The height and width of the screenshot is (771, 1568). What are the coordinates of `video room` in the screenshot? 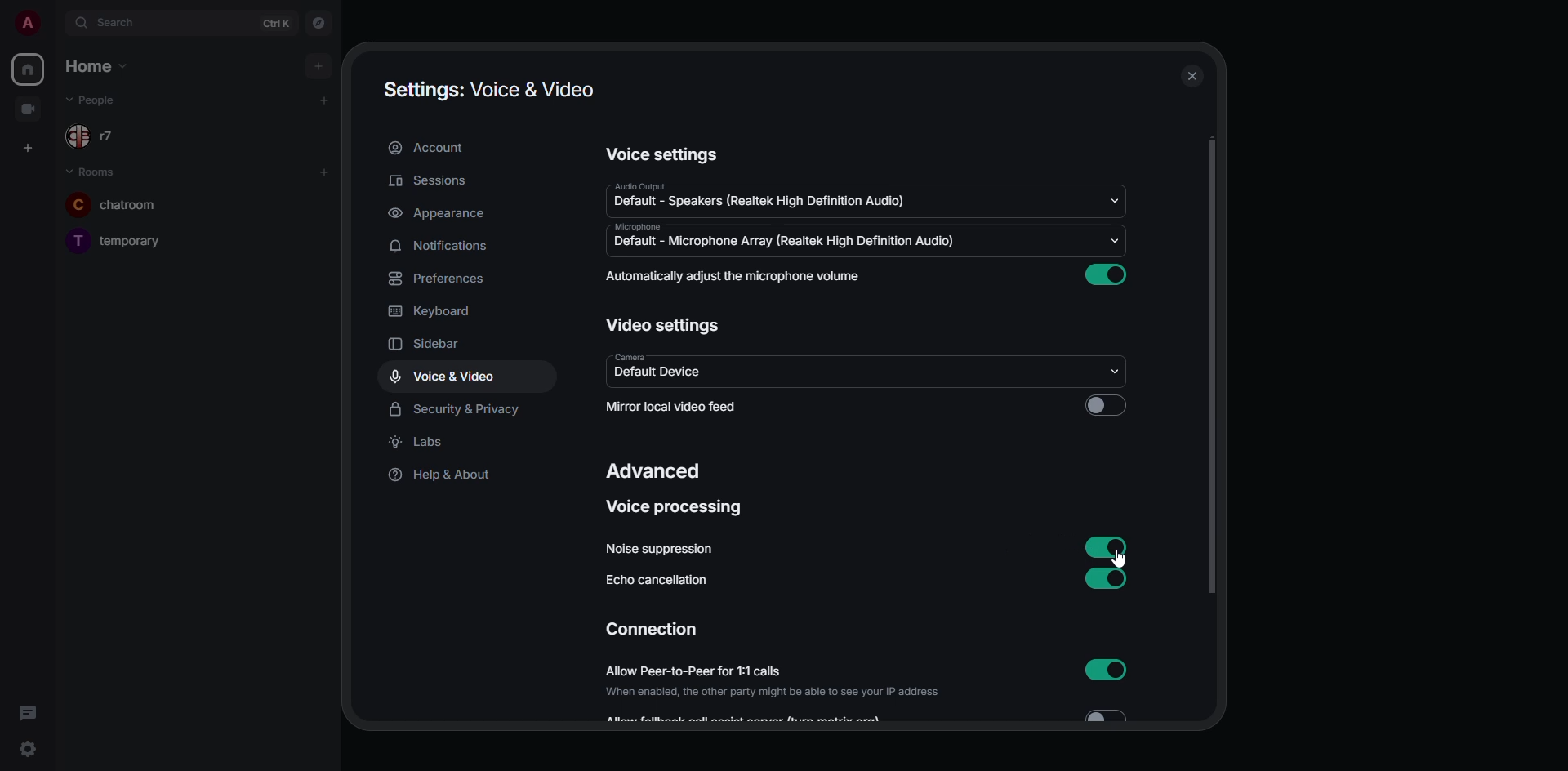 It's located at (29, 109).